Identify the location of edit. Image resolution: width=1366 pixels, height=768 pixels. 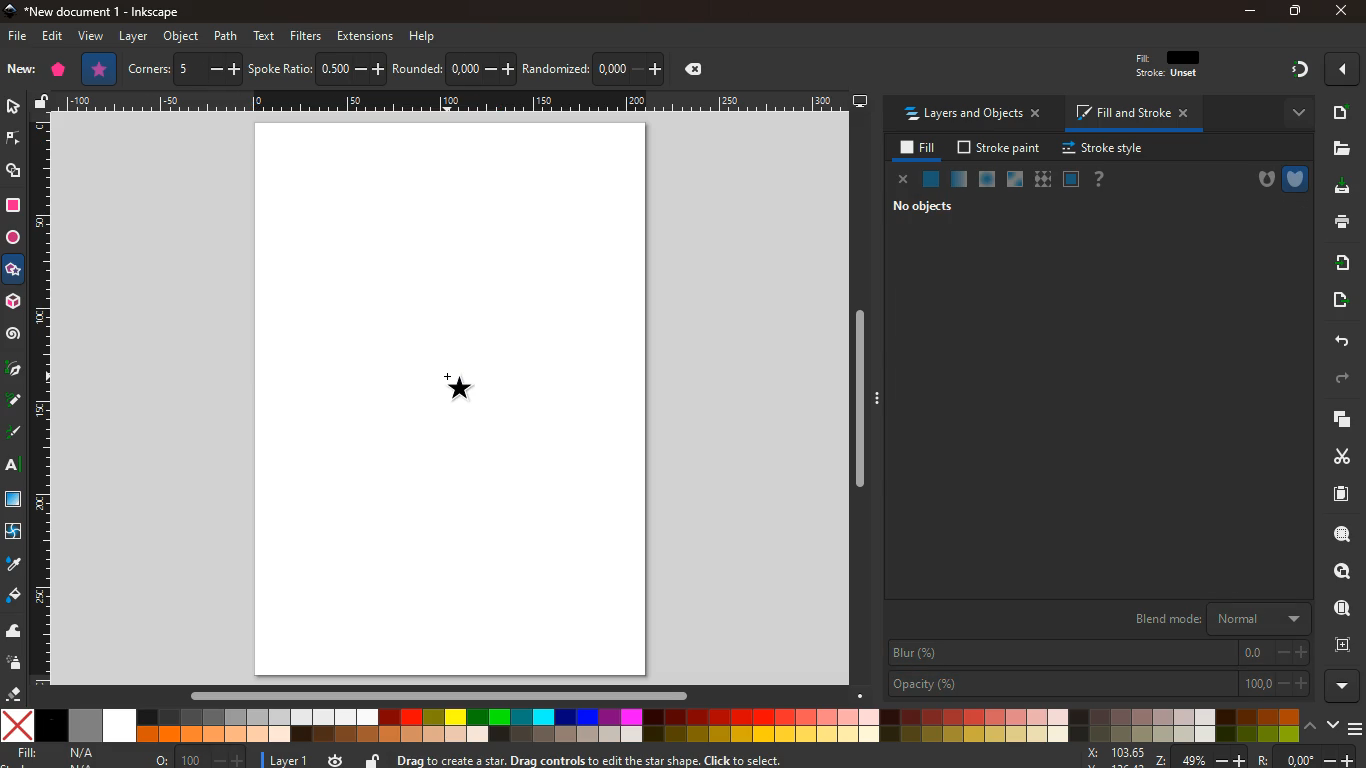
(53, 37).